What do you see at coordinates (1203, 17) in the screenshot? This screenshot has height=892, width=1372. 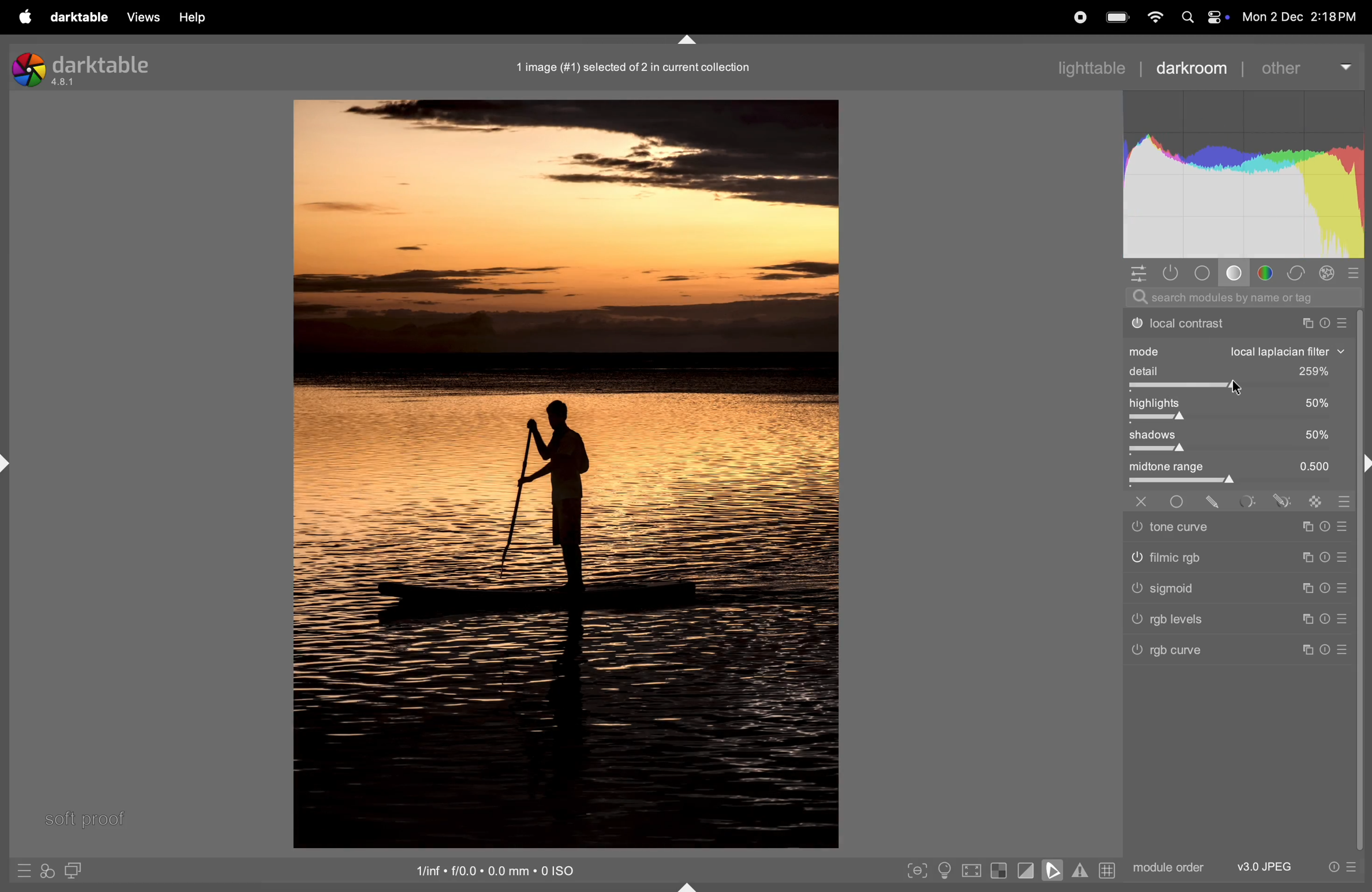 I see `apple widgets` at bounding box center [1203, 17].